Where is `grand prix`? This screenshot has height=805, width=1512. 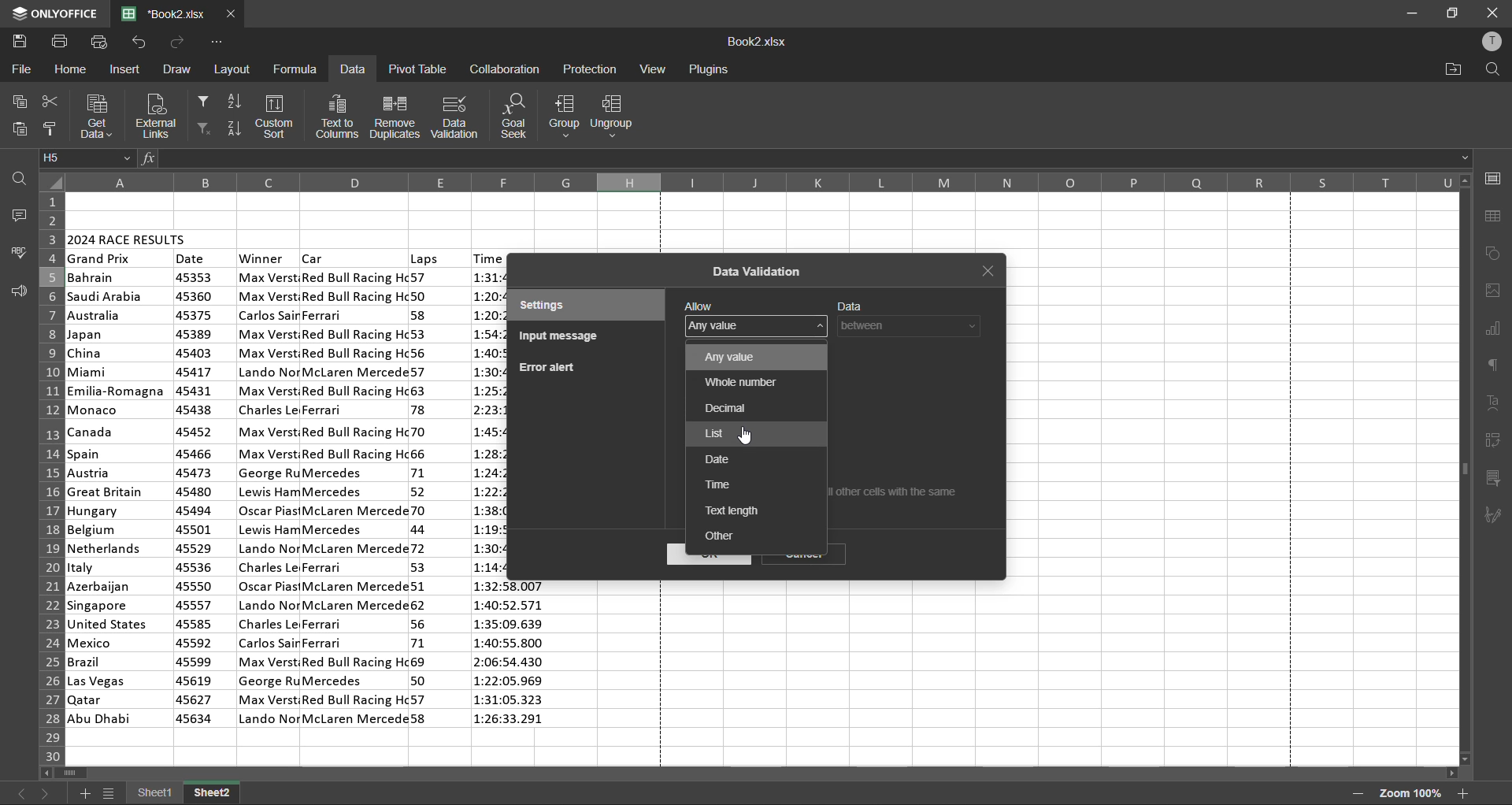
grand prix is located at coordinates (101, 259).